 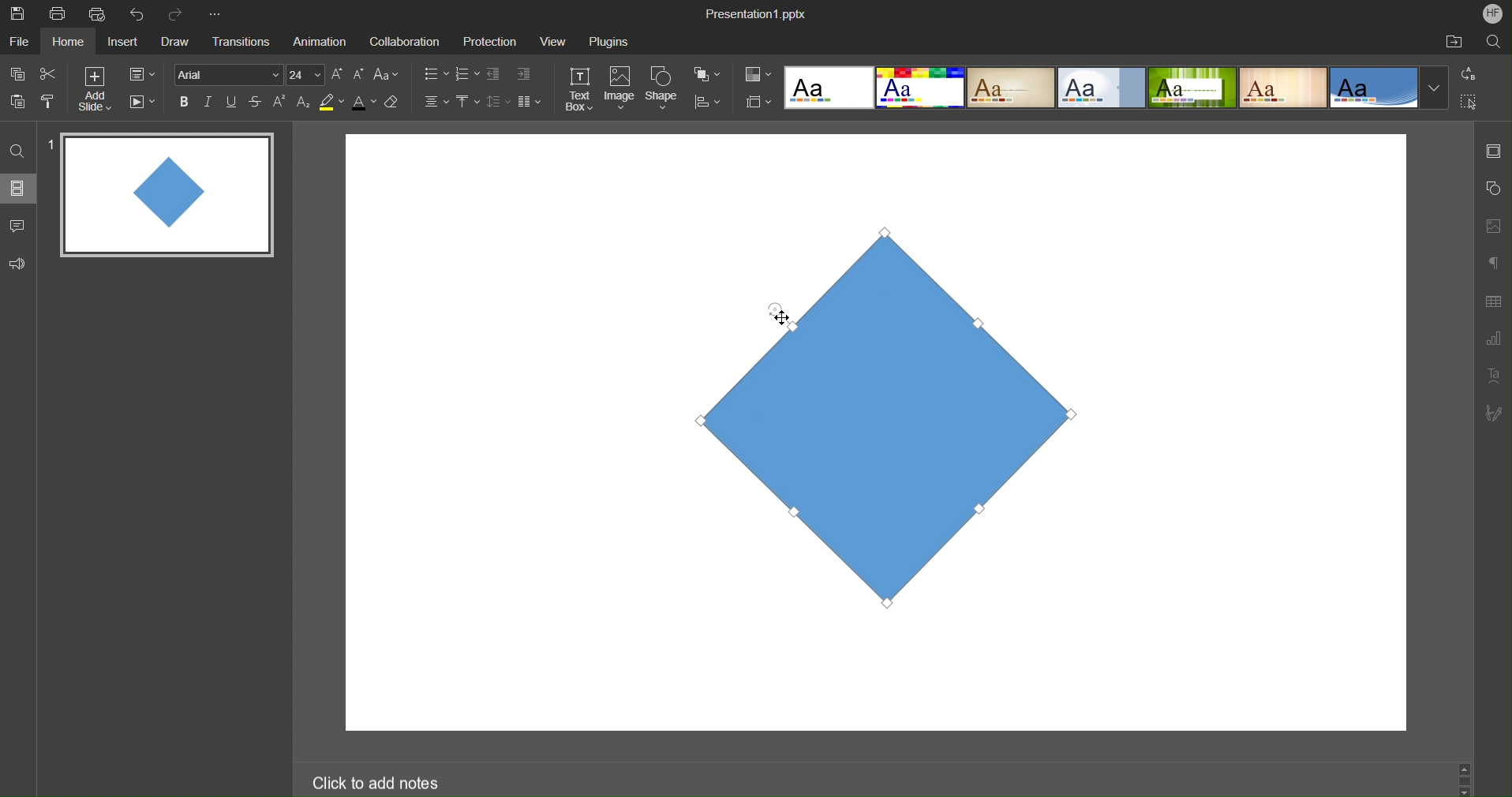 I want to click on Shape Rotated, so click(x=885, y=418).